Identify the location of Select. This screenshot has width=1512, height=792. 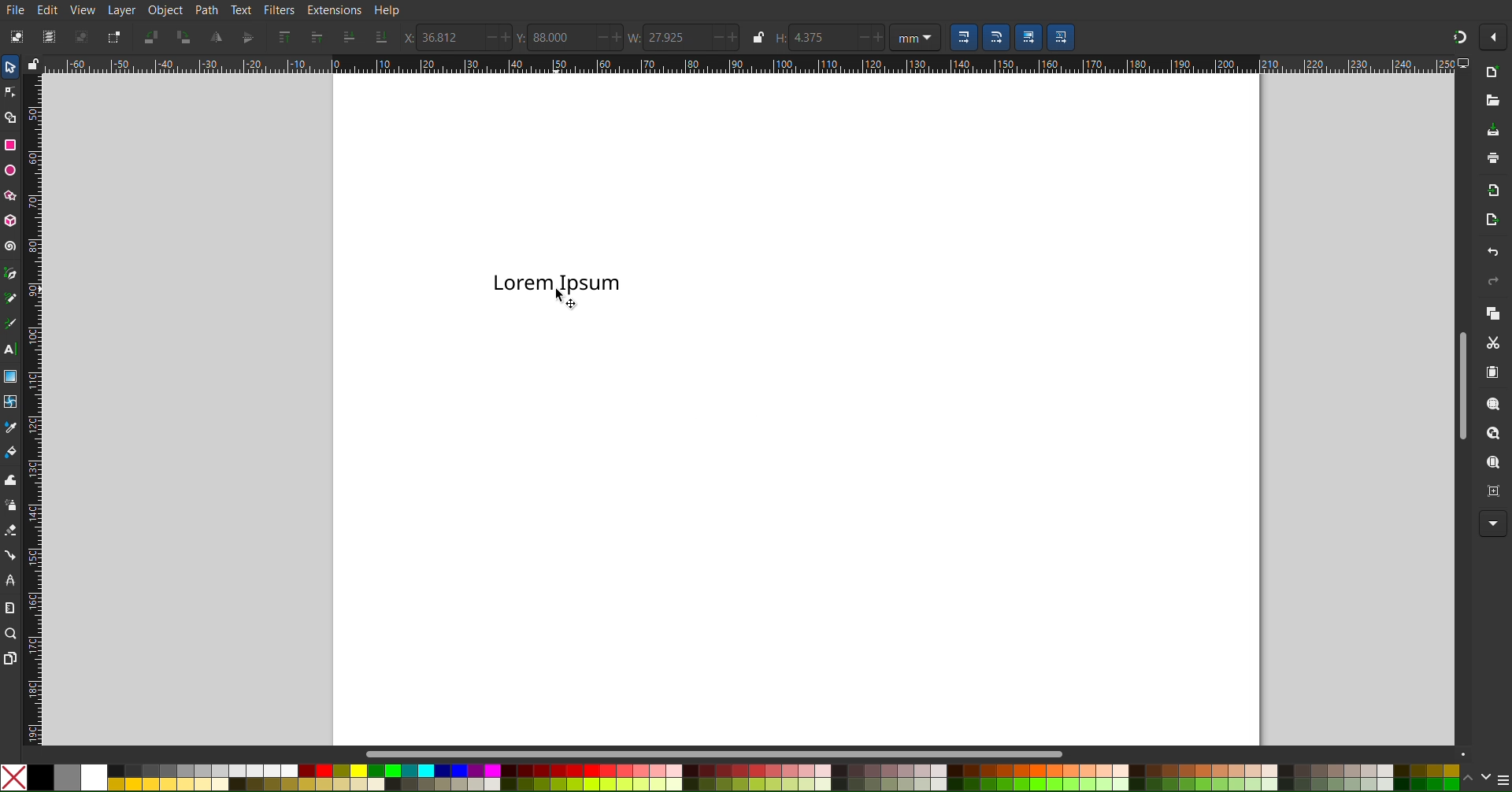
(11, 67).